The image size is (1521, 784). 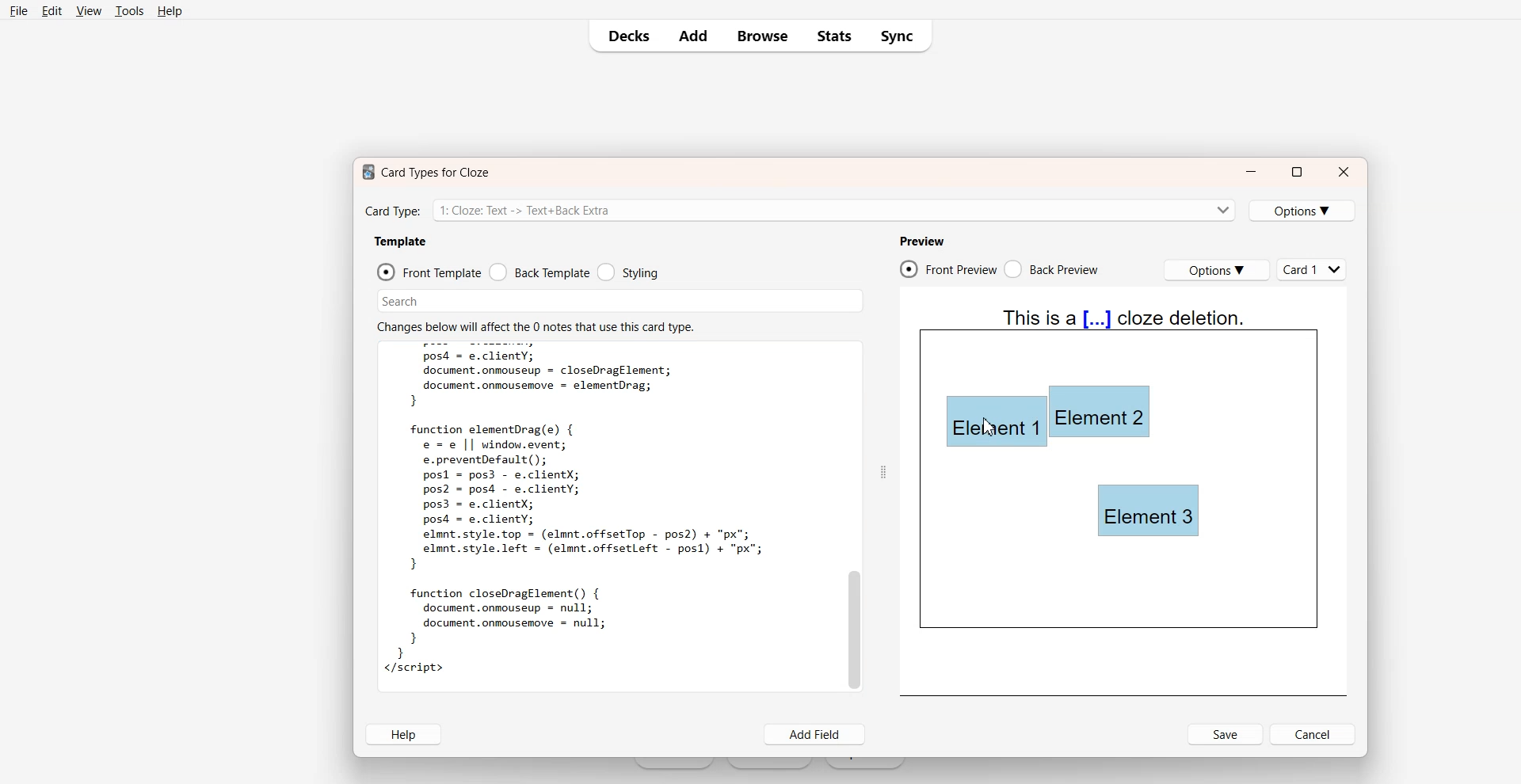 I want to click on Back Preview, so click(x=1054, y=269).